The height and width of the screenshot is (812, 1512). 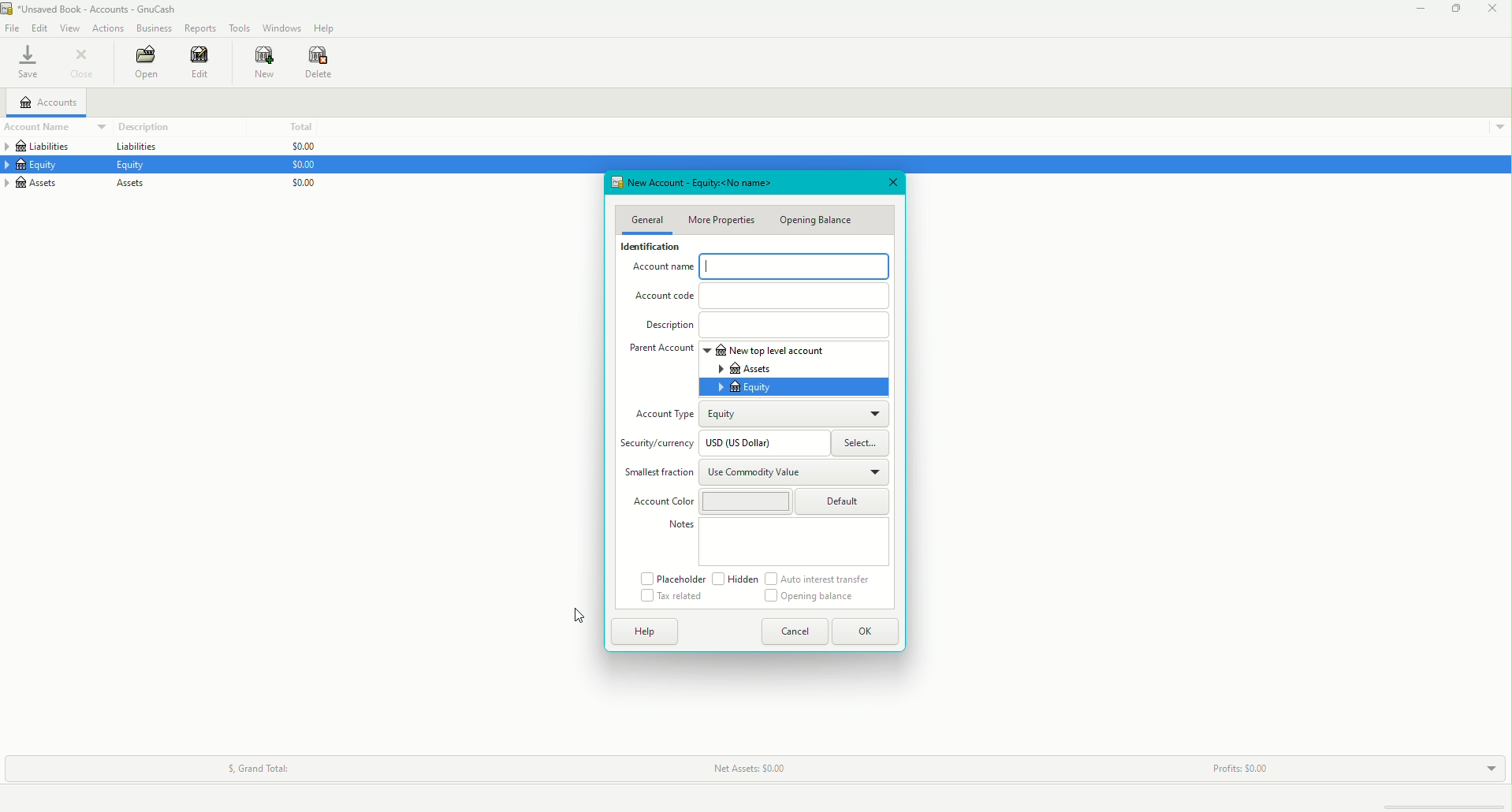 What do you see at coordinates (821, 579) in the screenshot?
I see `Auto interest transfer` at bounding box center [821, 579].